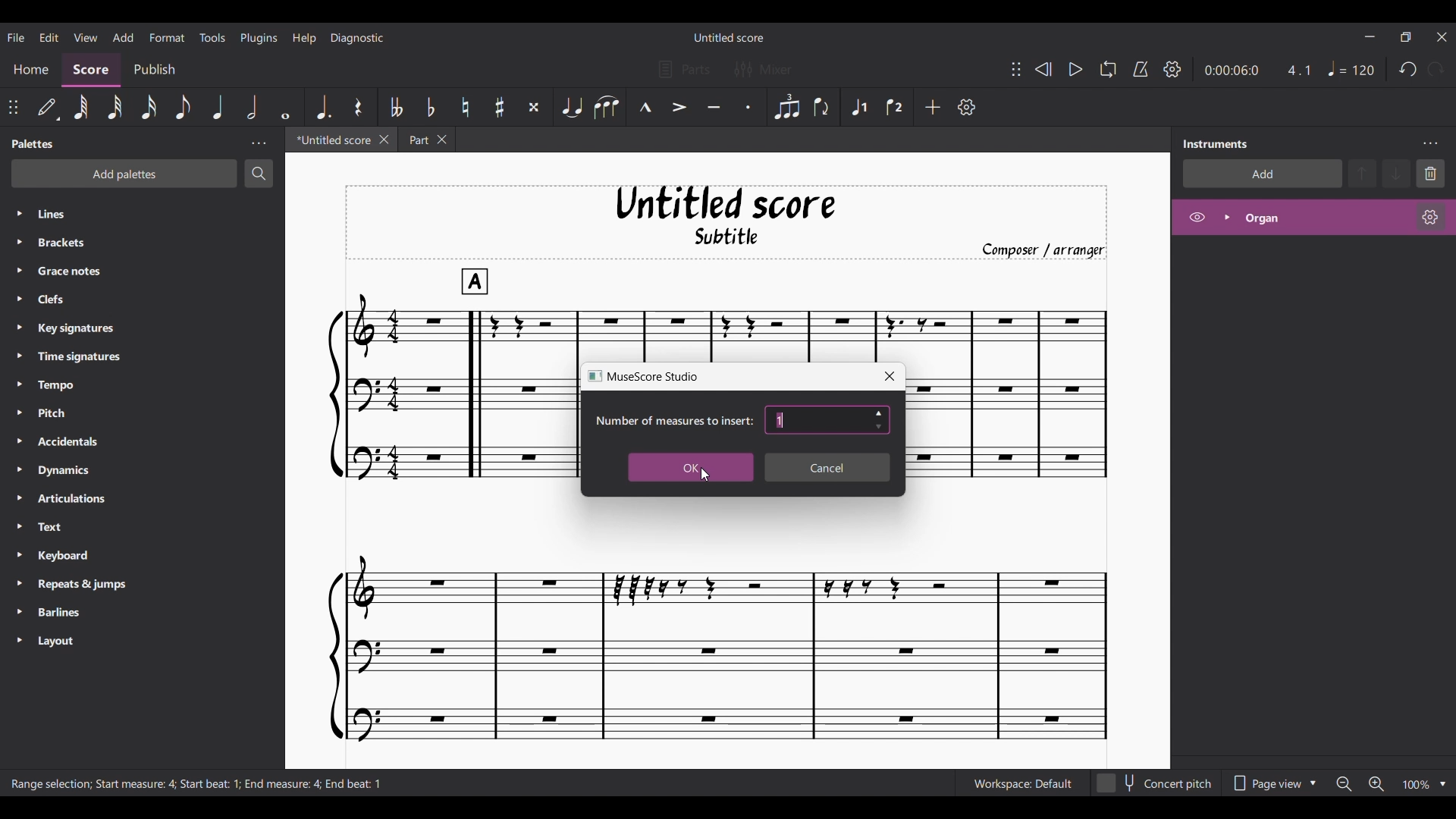 The image size is (1456, 819). Describe the element at coordinates (1107, 69) in the screenshot. I see `Looping playback` at that location.